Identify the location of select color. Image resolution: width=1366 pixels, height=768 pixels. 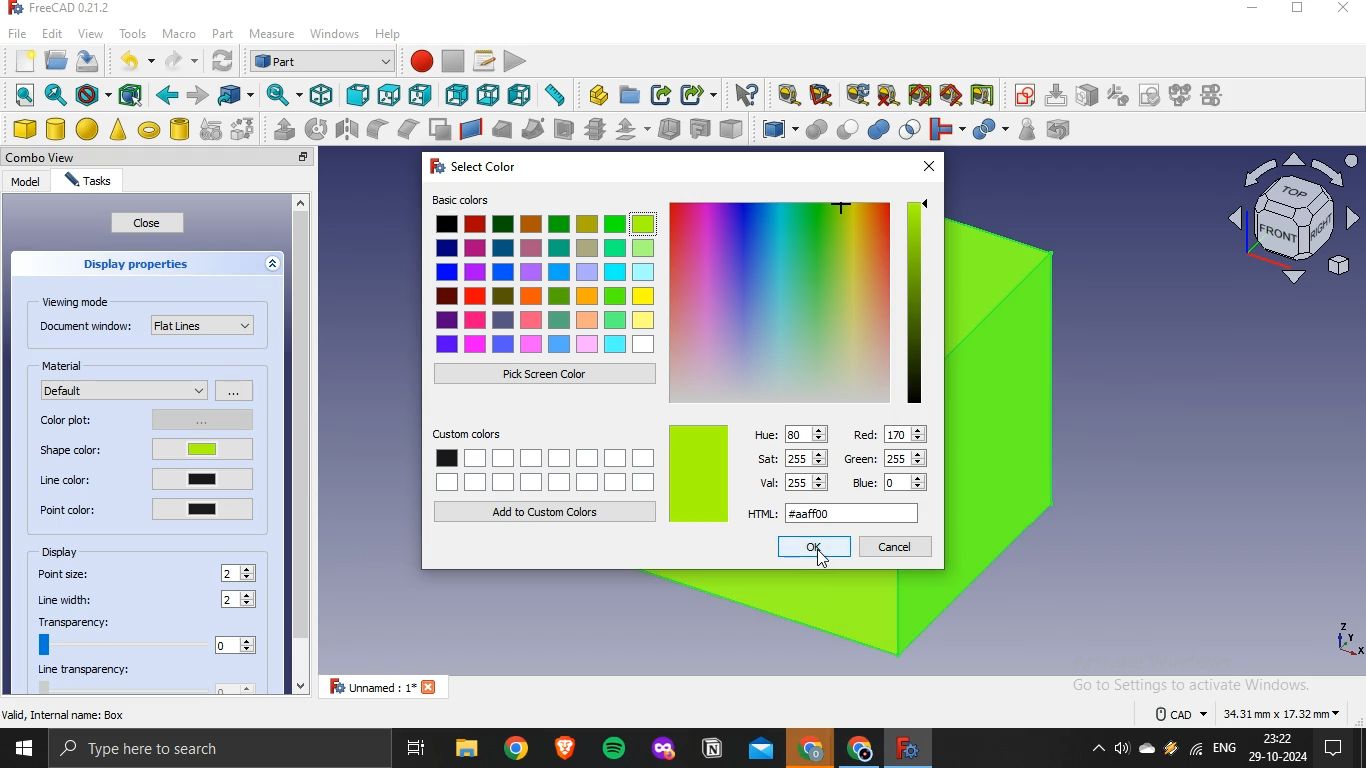
(468, 164).